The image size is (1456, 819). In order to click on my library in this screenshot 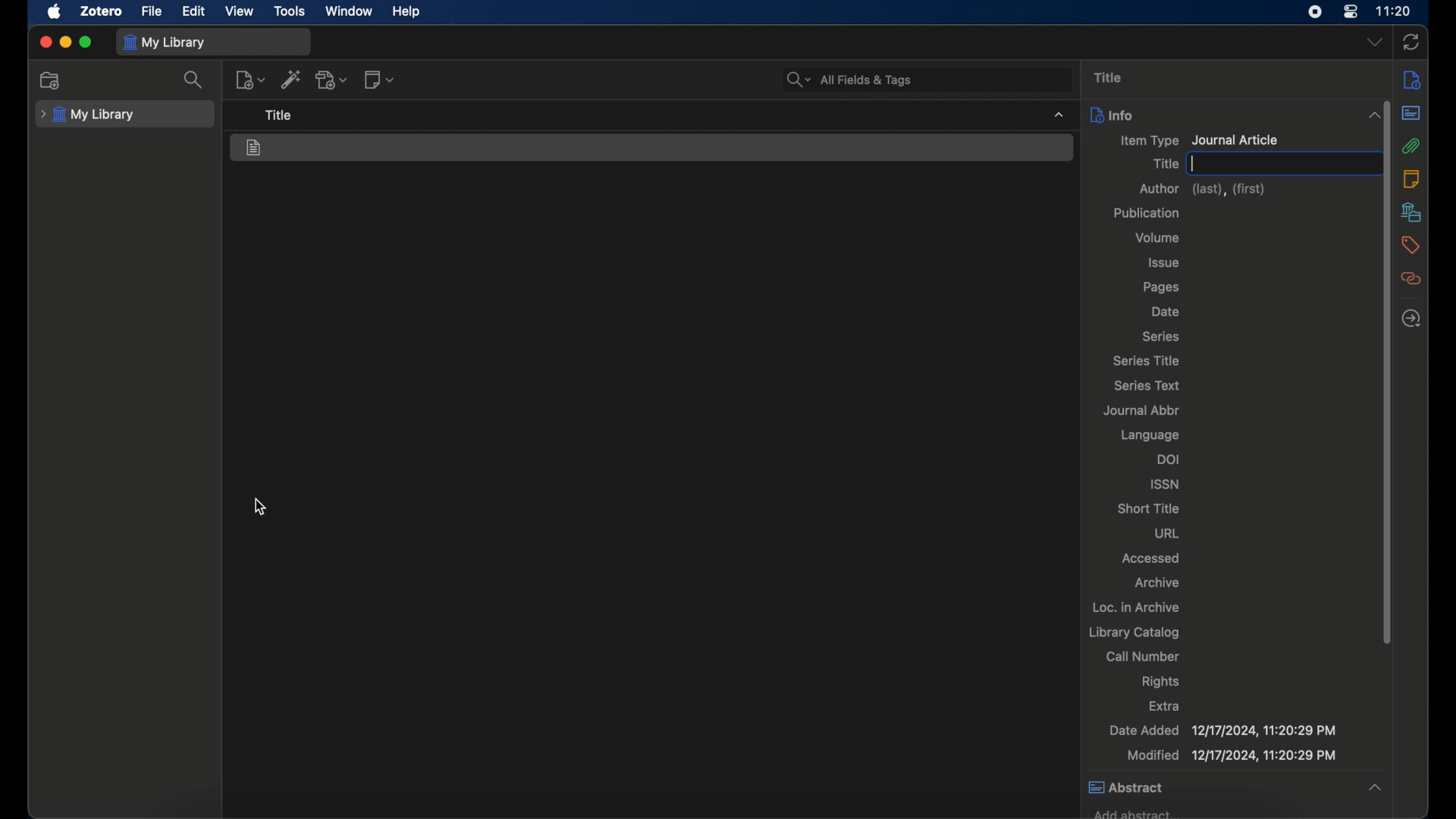, I will do `click(163, 42)`.